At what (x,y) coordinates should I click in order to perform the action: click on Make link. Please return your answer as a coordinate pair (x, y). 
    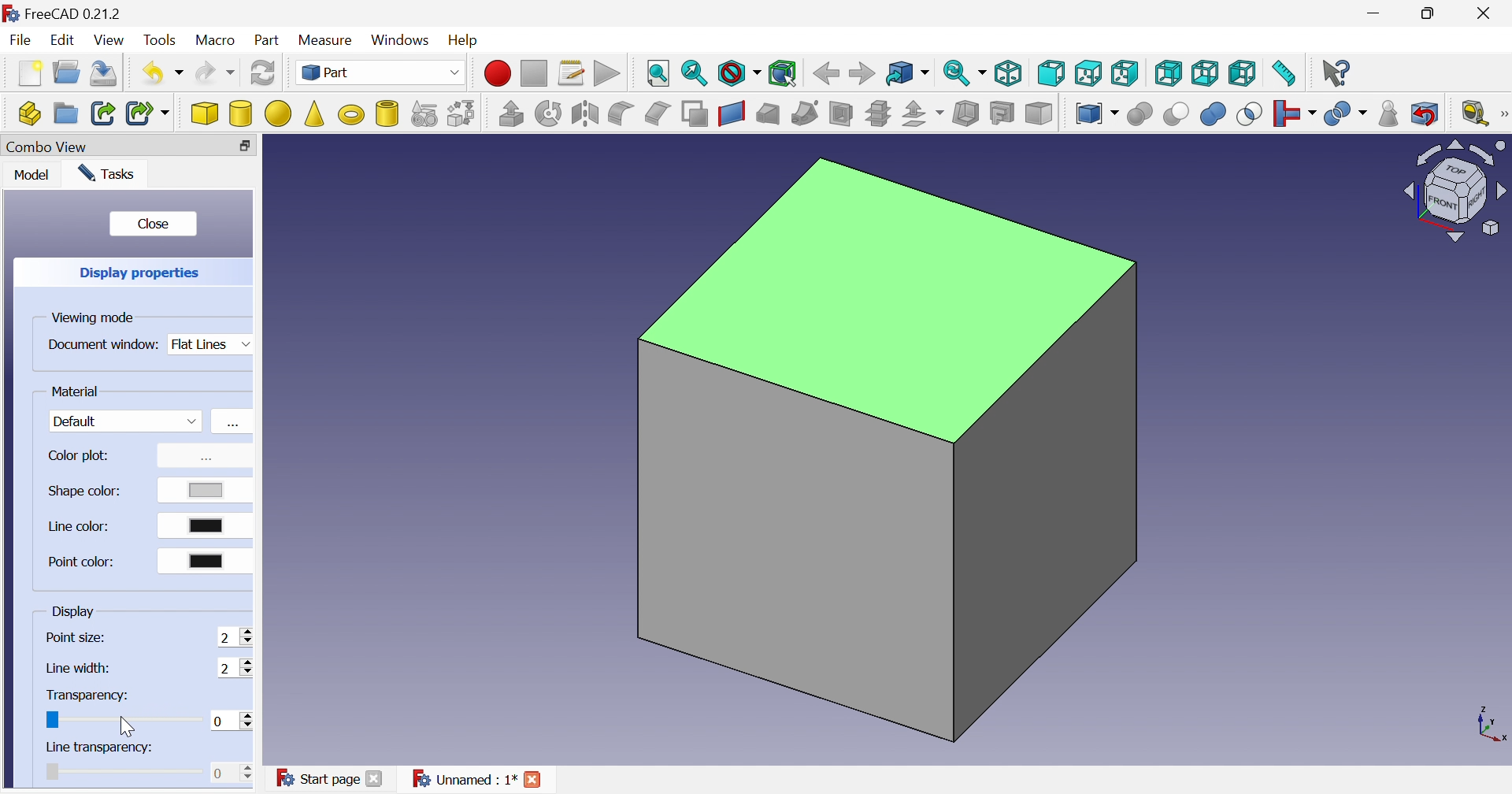
    Looking at the image, I should click on (100, 113).